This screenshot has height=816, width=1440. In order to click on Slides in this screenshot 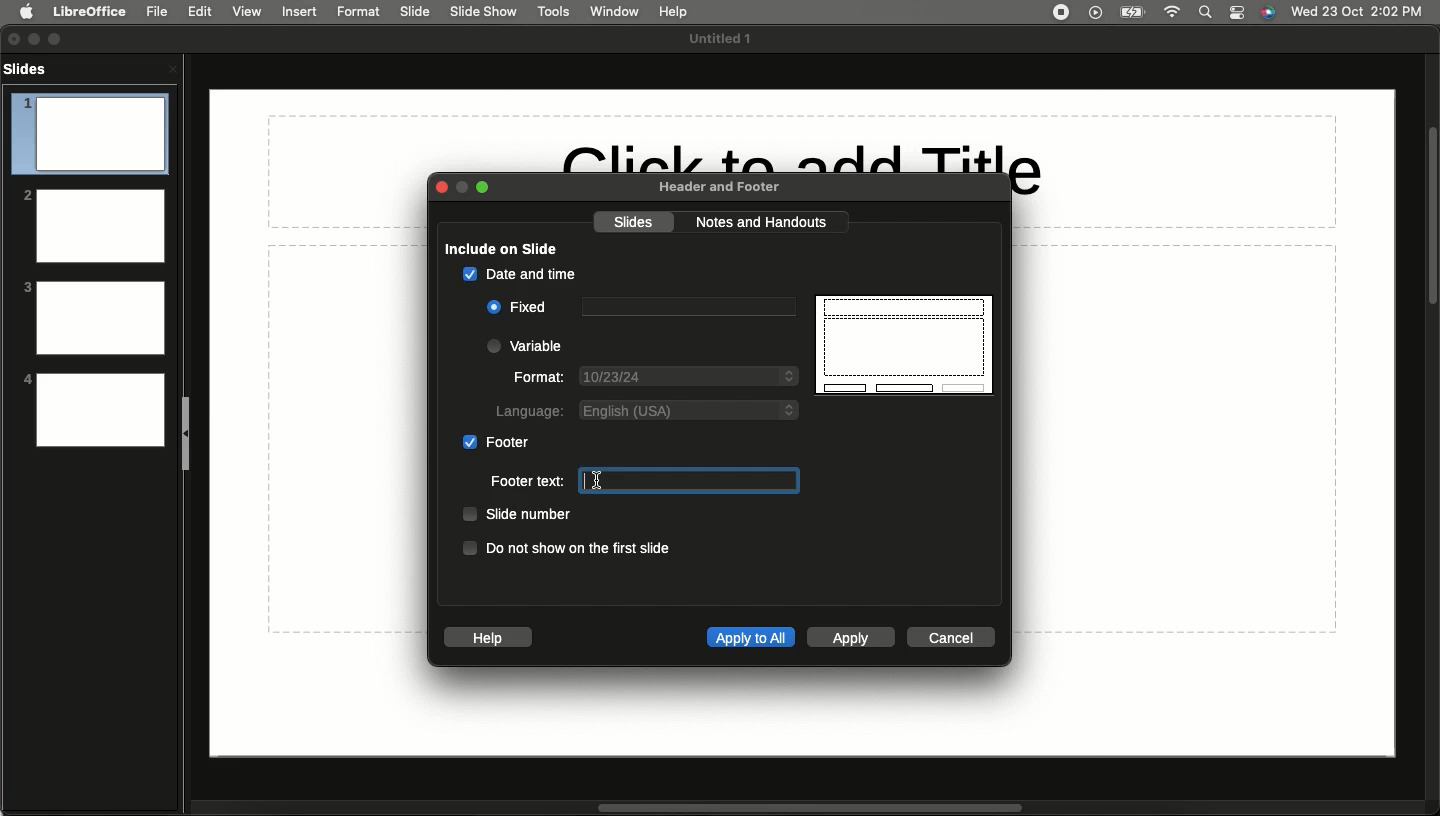, I will do `click(633, 223)`.